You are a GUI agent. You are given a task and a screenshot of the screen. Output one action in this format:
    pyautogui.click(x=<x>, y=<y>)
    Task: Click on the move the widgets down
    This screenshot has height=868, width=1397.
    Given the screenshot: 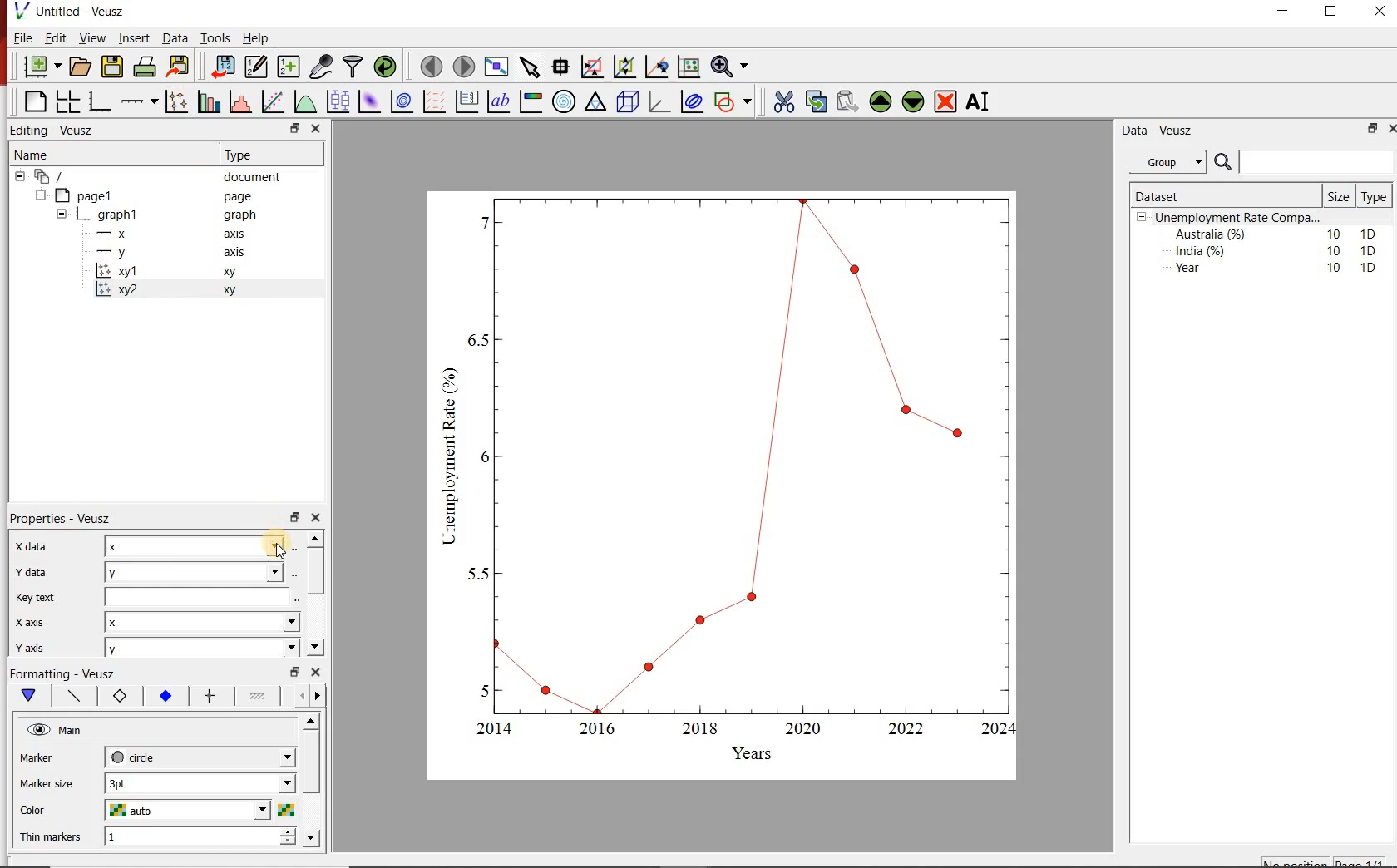 What is the action you would take?
    pyautogui.click(x=911, y=101)
    